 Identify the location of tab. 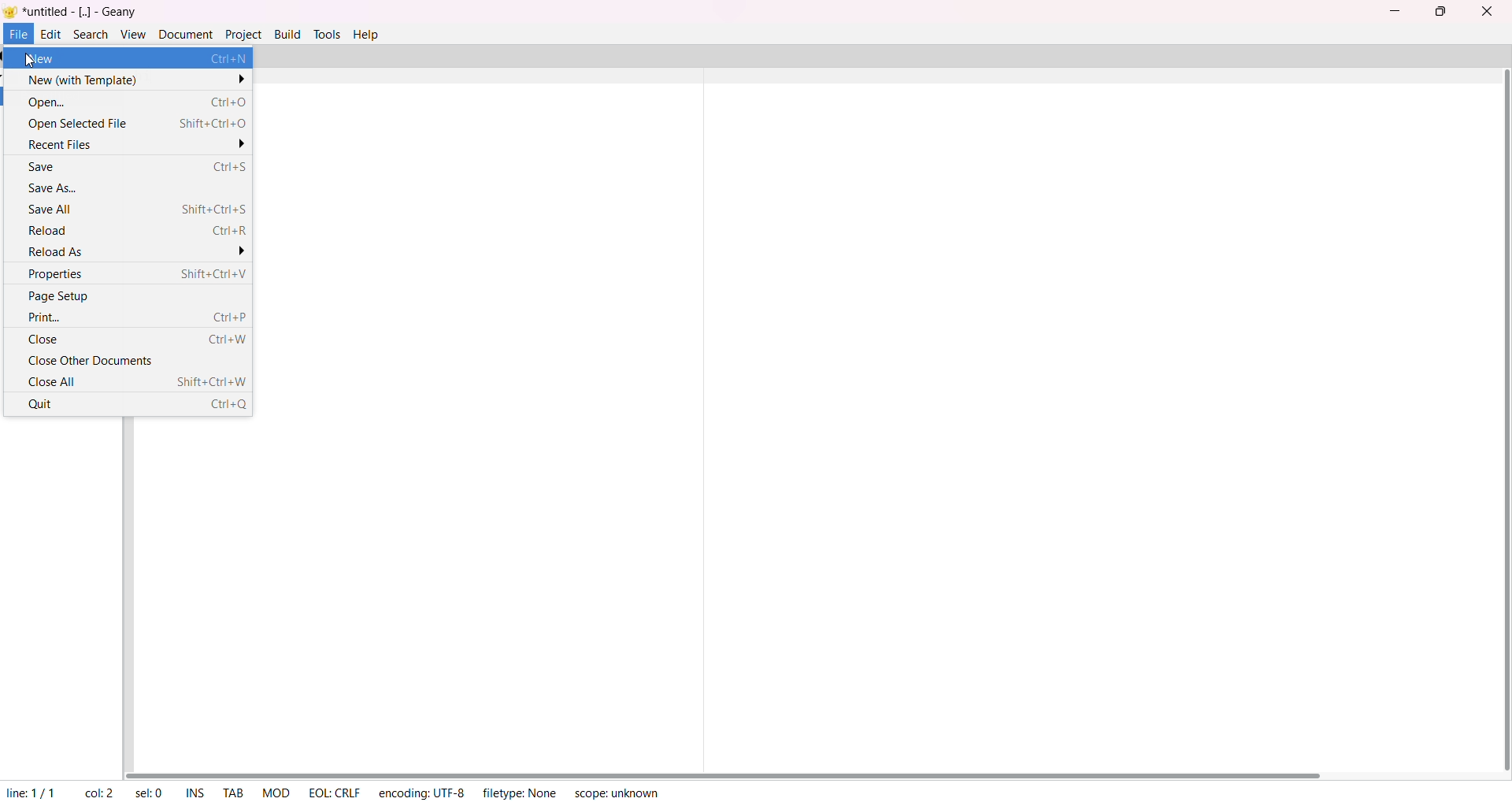
(234, 794).